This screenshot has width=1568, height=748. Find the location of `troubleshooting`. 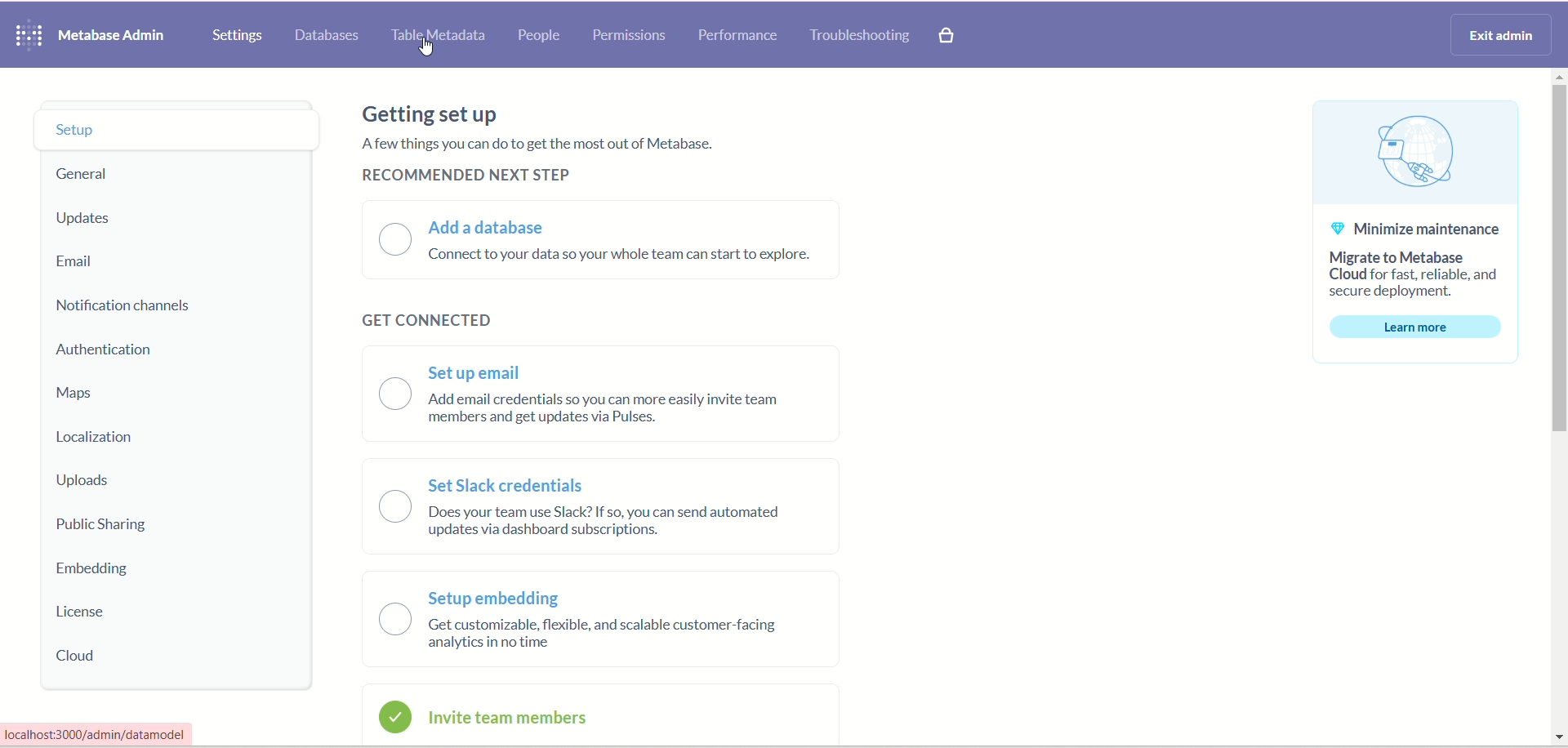

troubleshooting is located at coordinates (864, 38).